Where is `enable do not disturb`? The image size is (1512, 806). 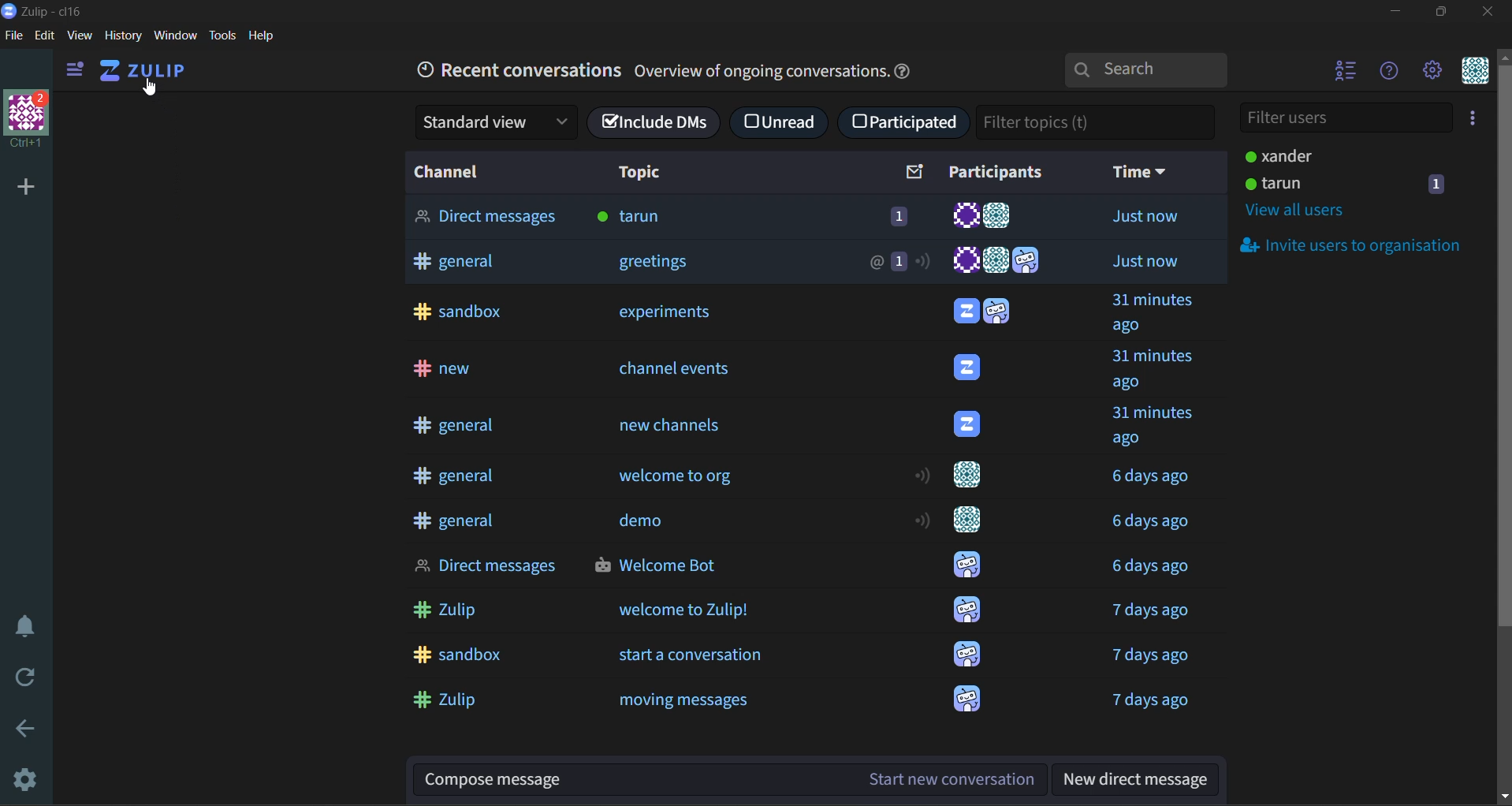
enable do not disturb is located at coordinates (26, 627).